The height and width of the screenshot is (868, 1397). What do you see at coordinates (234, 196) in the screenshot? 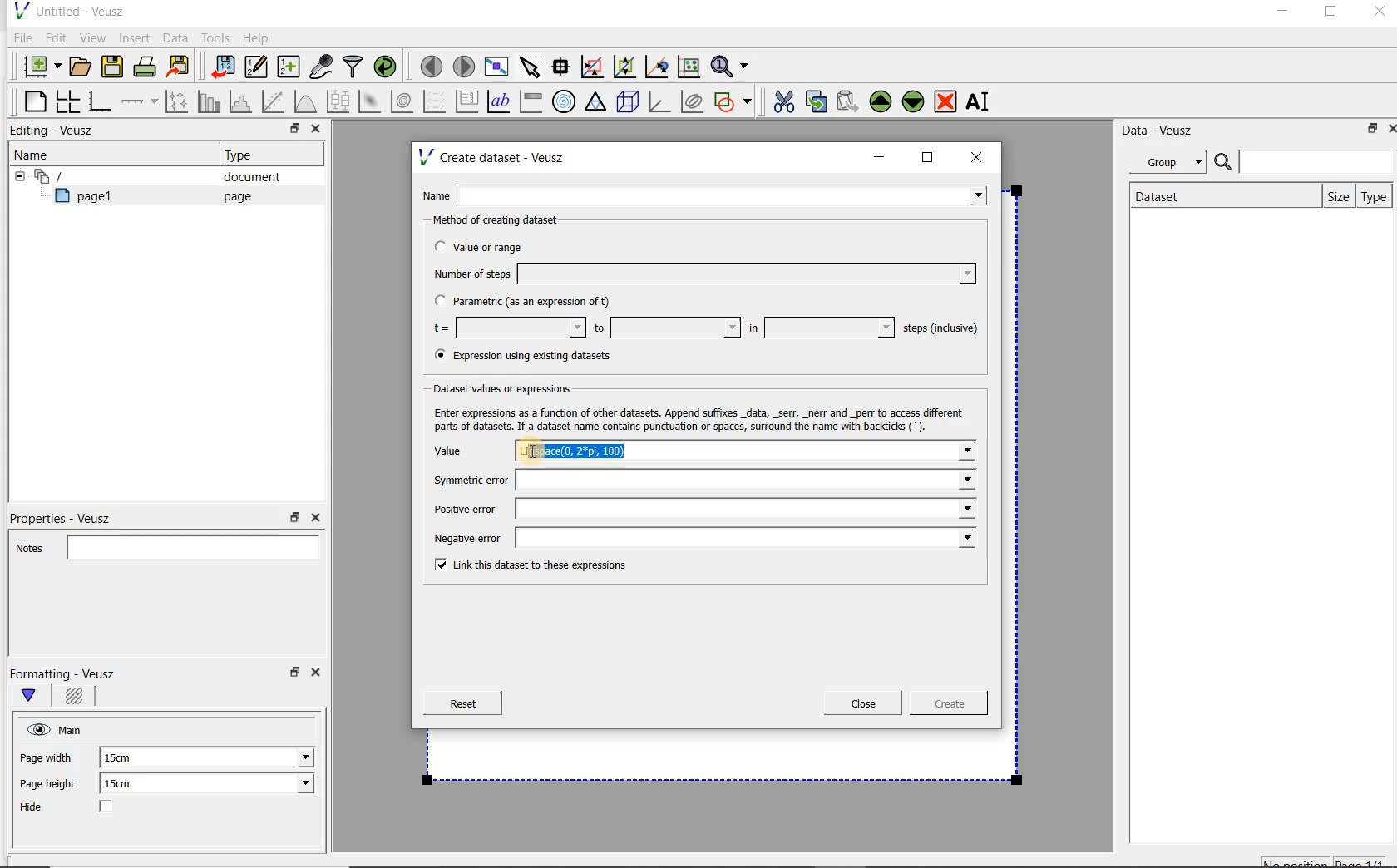
I see `page` at bounding box center [234, 196].